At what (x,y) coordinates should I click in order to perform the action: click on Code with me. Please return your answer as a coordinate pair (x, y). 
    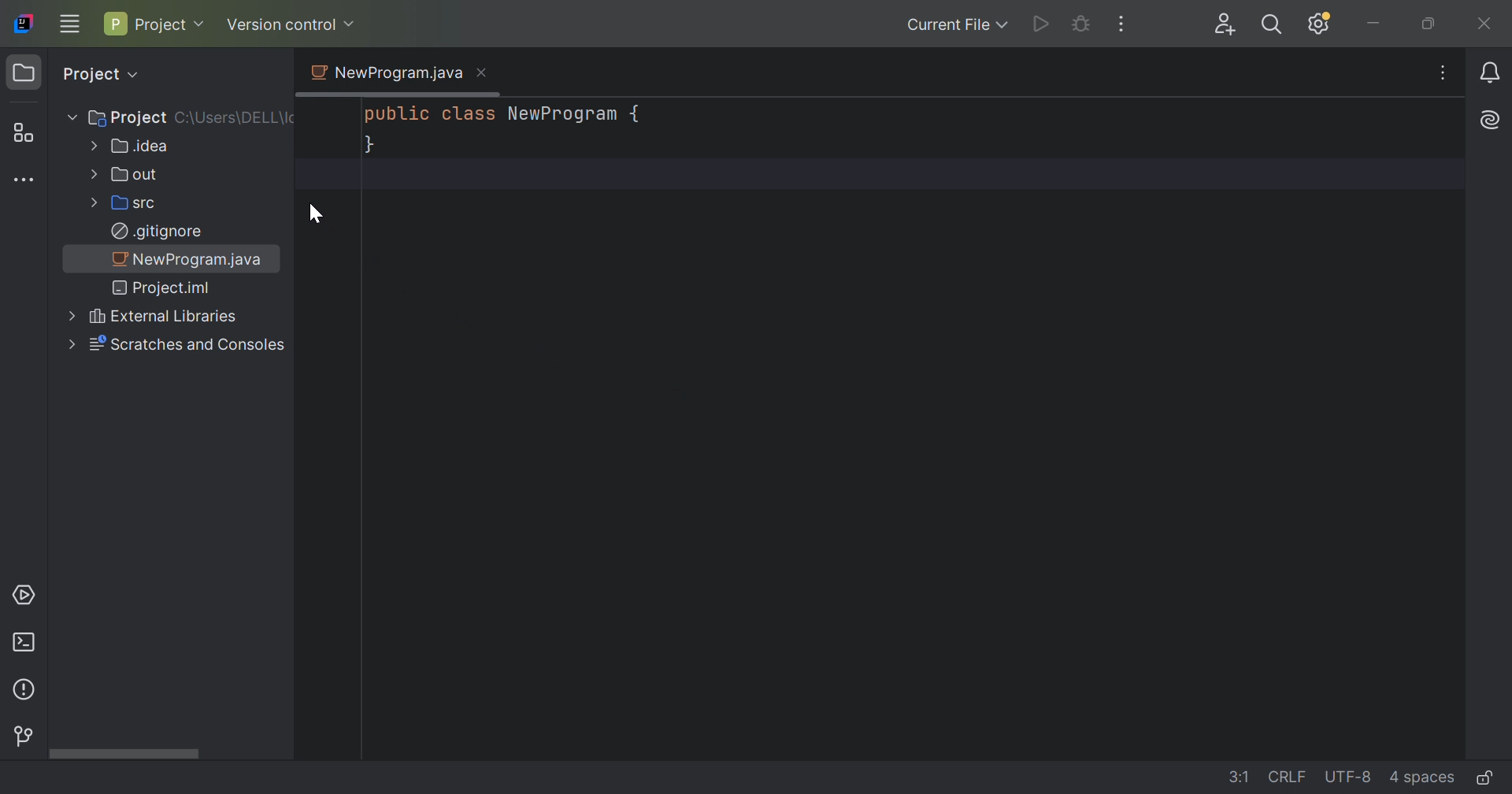
    Looking at the image, I should click on (1225, 25).